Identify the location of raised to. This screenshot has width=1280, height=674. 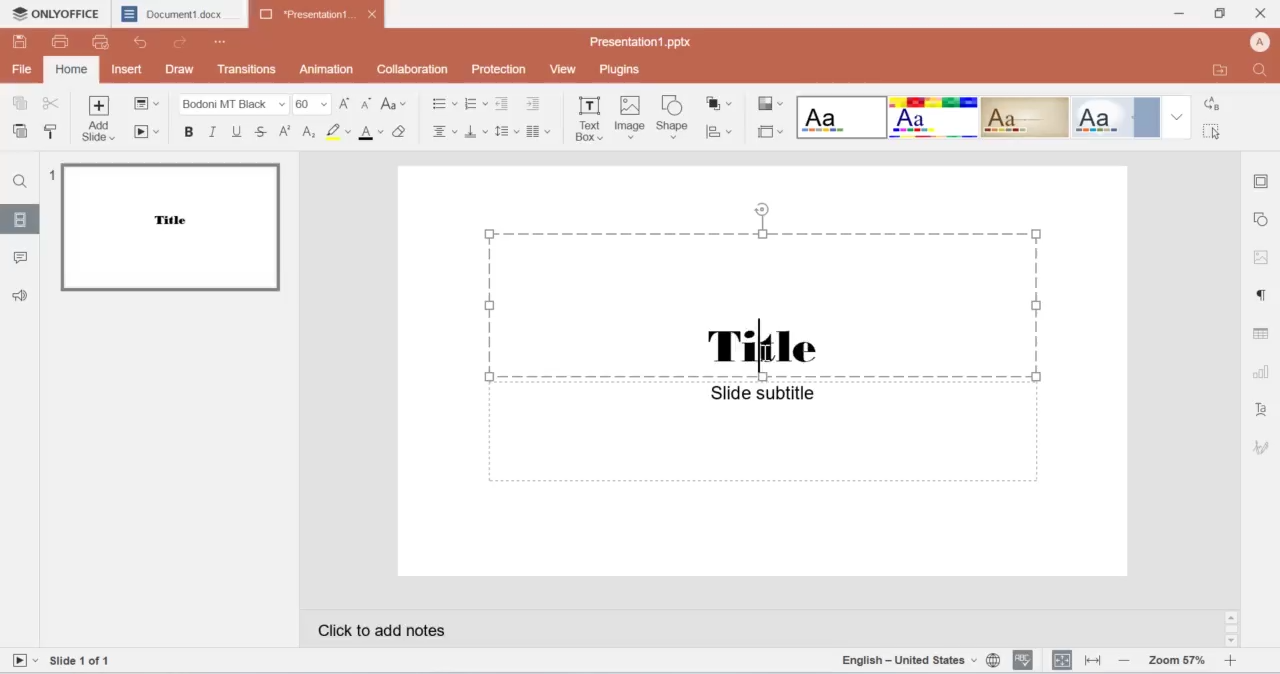
(288, 131).